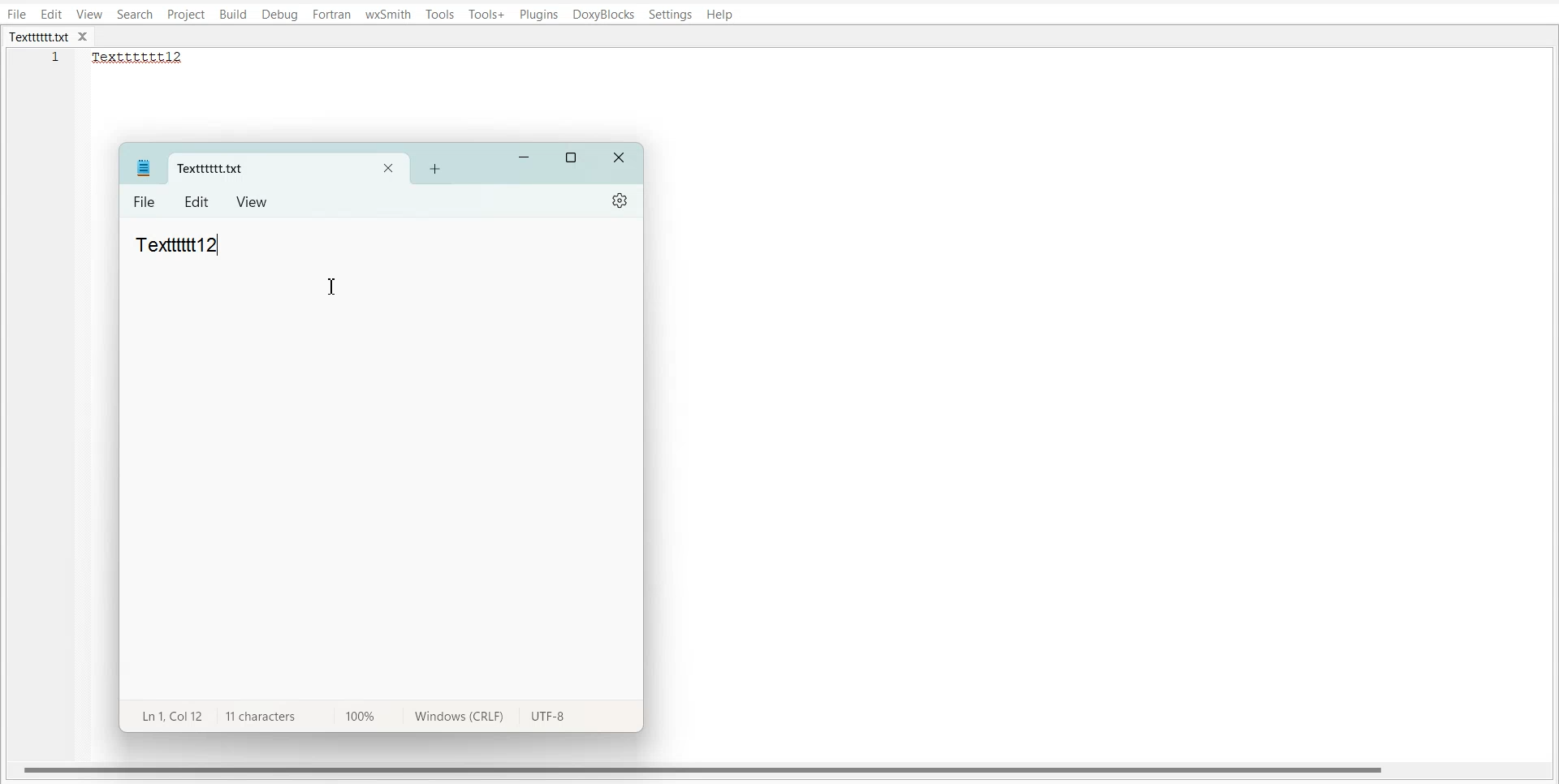 The height and width of the screenshot is (784, 1559). I want to click on Texttttttl2, so click(146, 58).